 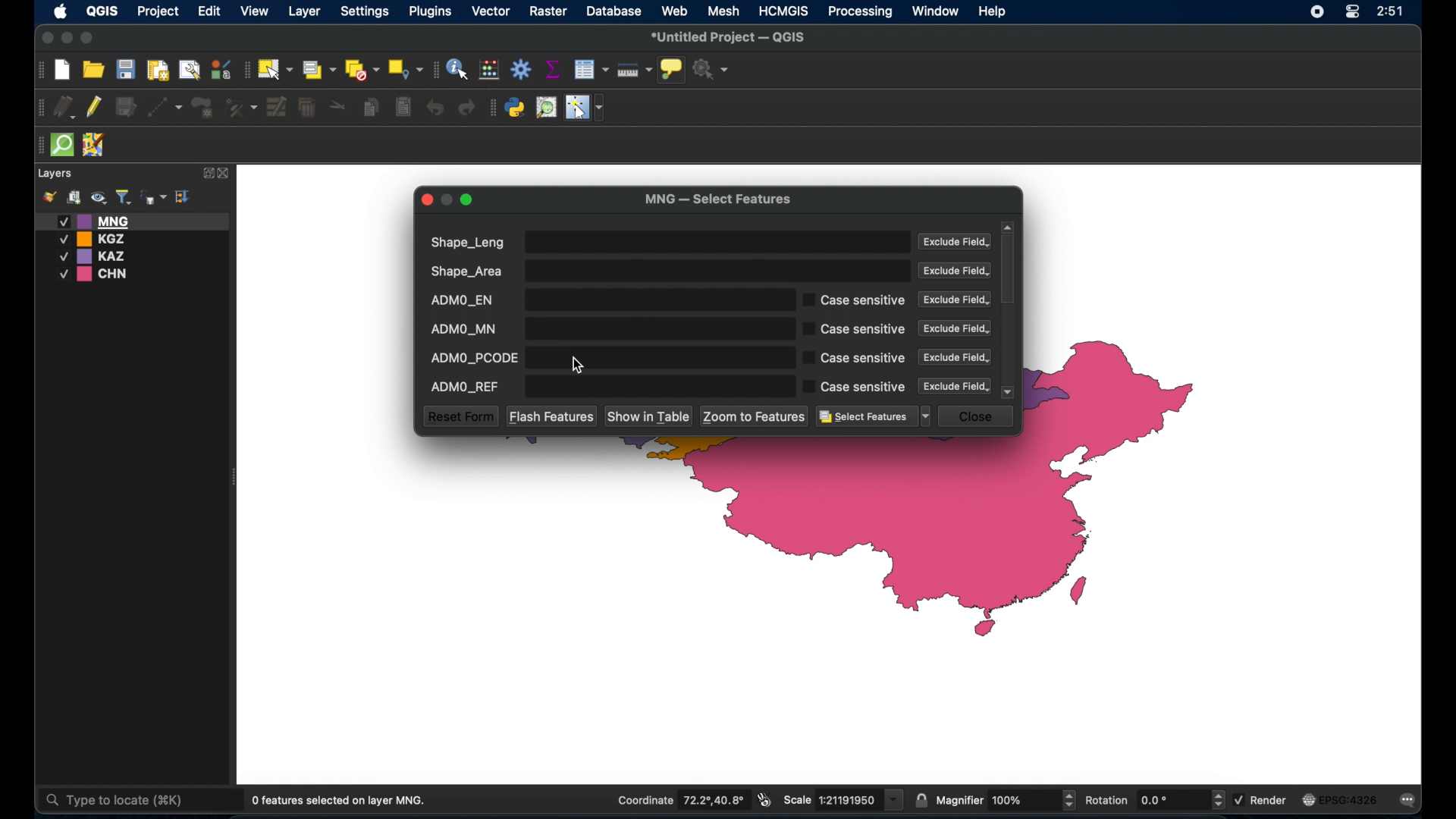 I want to click on ADMO_EN, so click(x=606, y=300).